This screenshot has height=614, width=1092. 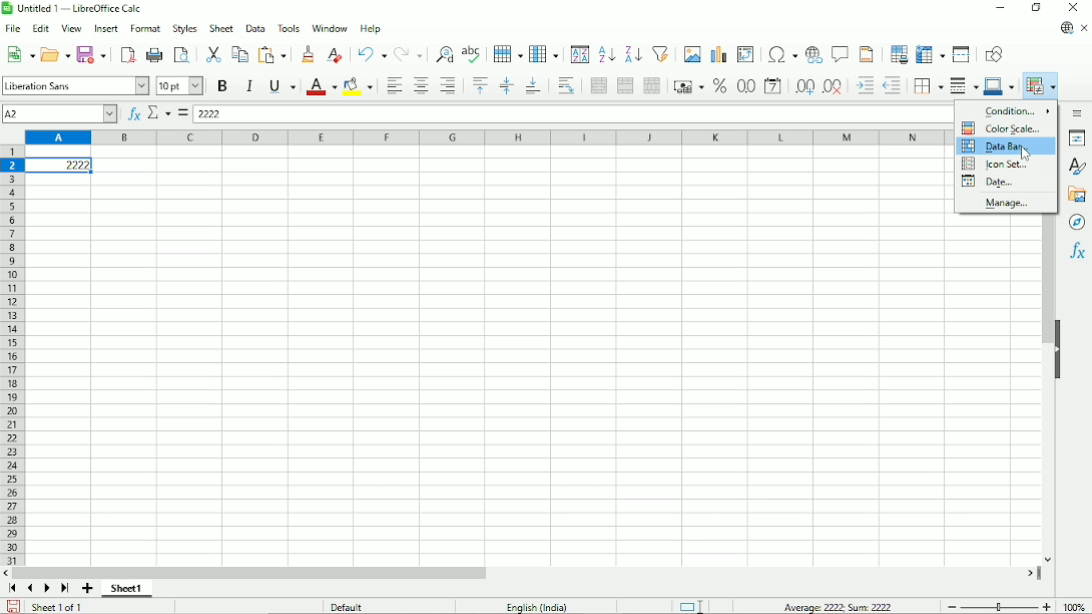 I want to click on Conditional, so click(x=1040, y=86).